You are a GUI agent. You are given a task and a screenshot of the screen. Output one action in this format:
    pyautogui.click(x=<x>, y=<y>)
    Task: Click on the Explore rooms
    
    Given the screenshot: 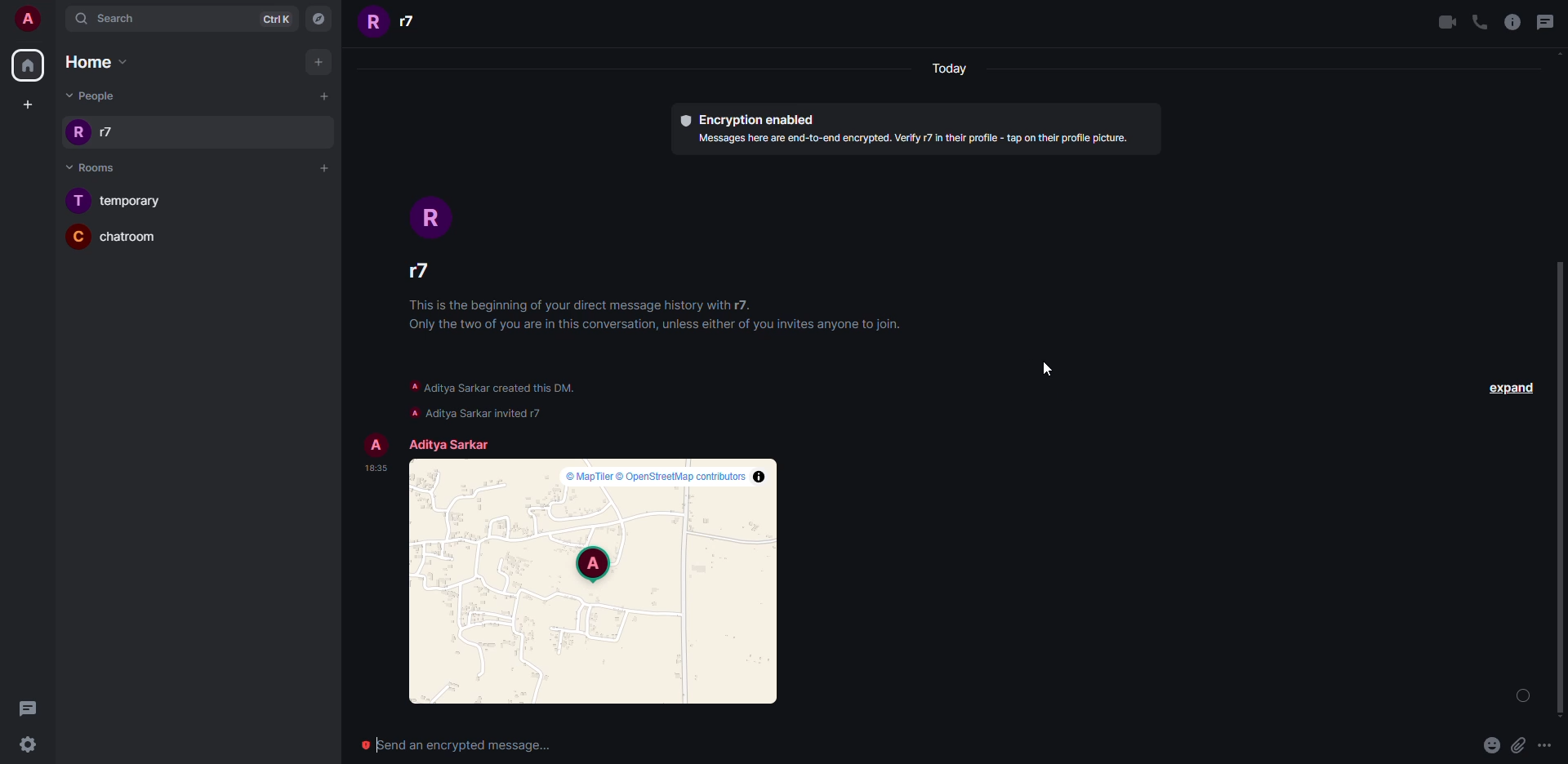 What is the action you would take?
    pyautogui.click(x=321, y=20)
    